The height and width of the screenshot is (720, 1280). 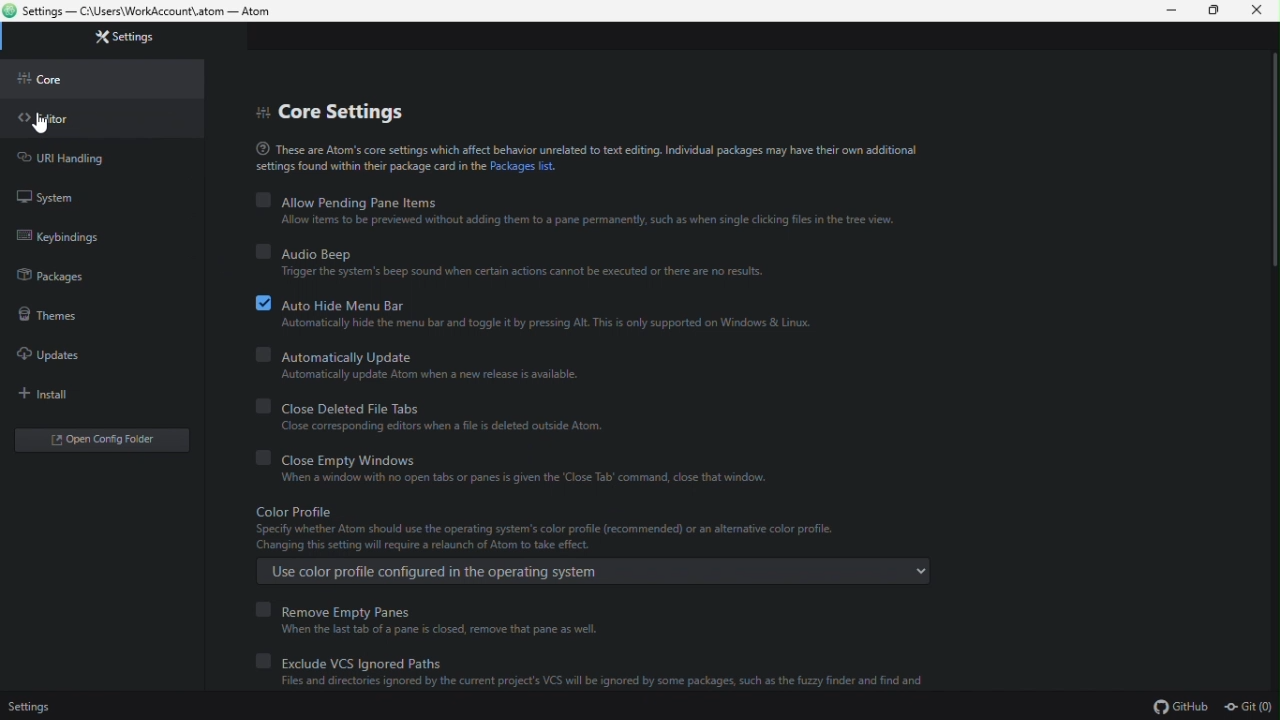 What do you see at coordinates (83, 160) in the screenshot?
I see `URL handling` at bounding box center [83, 160].